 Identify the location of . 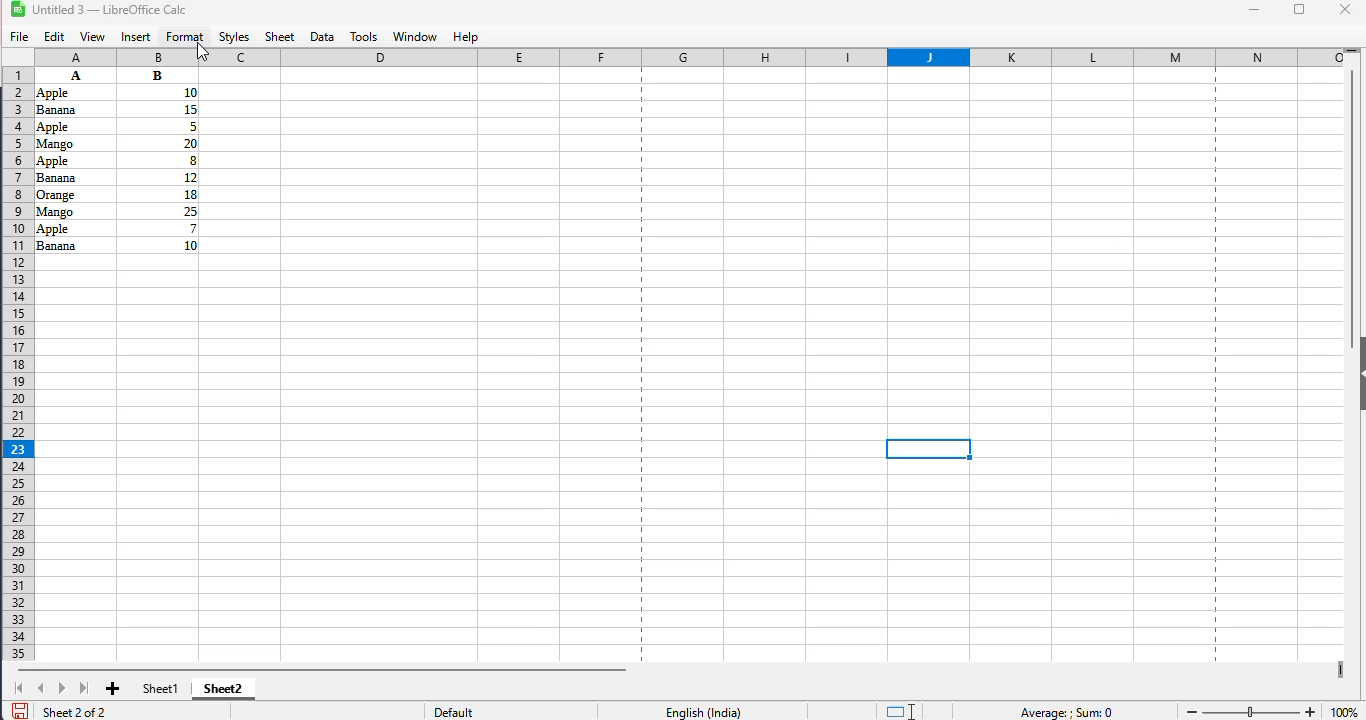
(157, 109).